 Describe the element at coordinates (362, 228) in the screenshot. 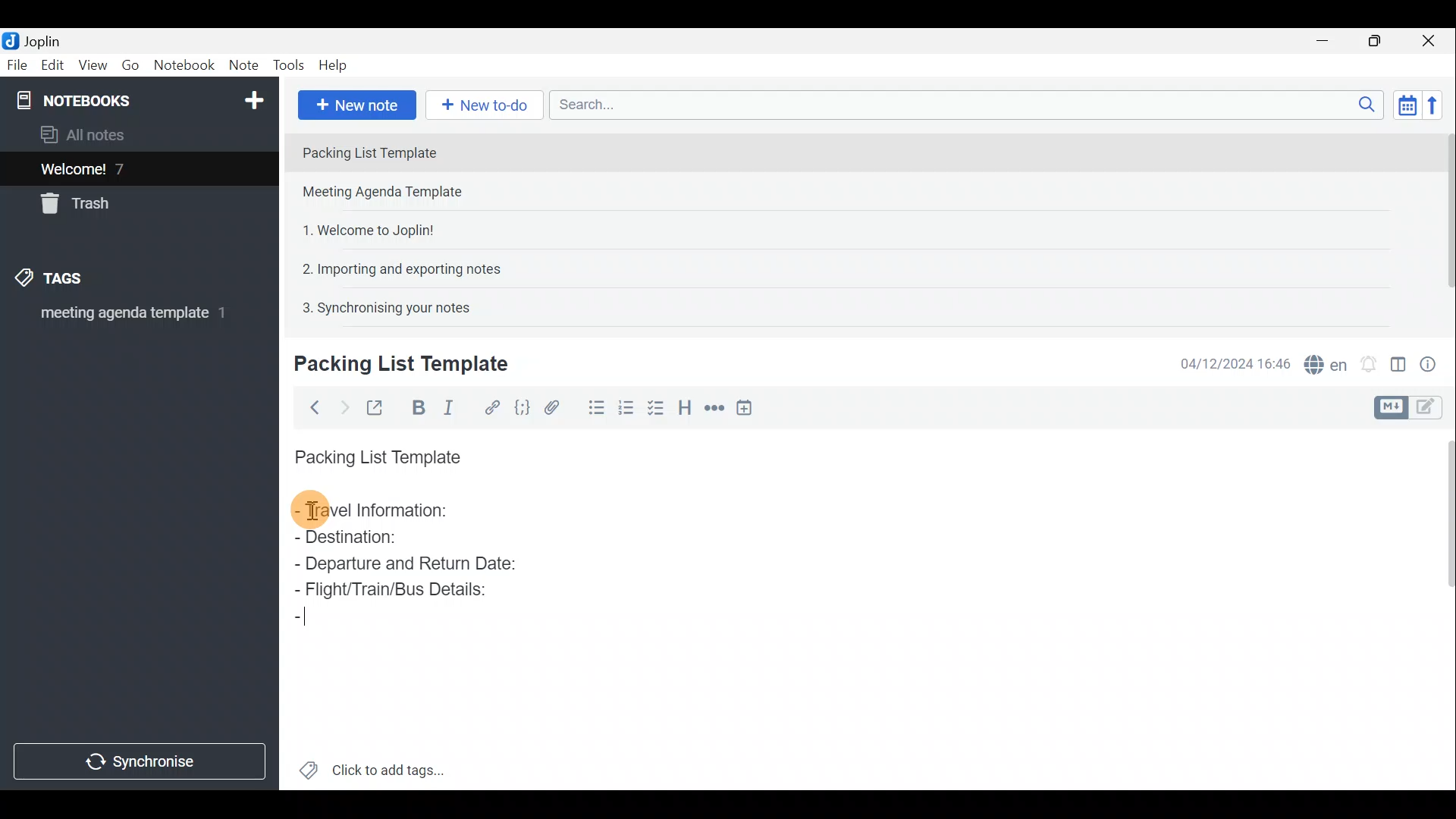

I see `Note 3` at that location.